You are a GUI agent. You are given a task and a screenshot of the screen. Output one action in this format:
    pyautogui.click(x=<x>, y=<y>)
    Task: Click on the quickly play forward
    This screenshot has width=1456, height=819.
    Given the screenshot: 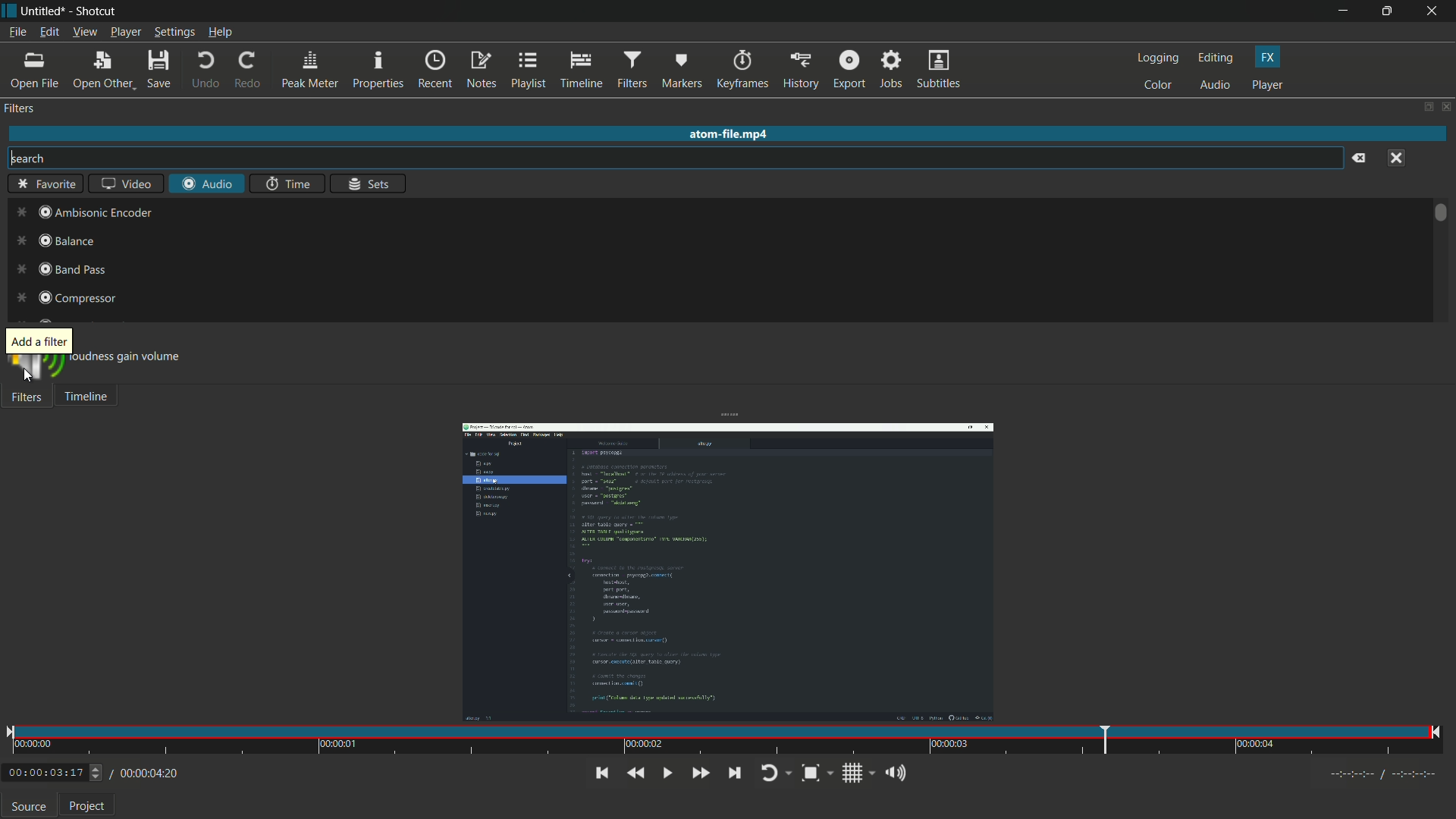 What is the action you would take?
    pyautogui.click(x=702, y=773)
    